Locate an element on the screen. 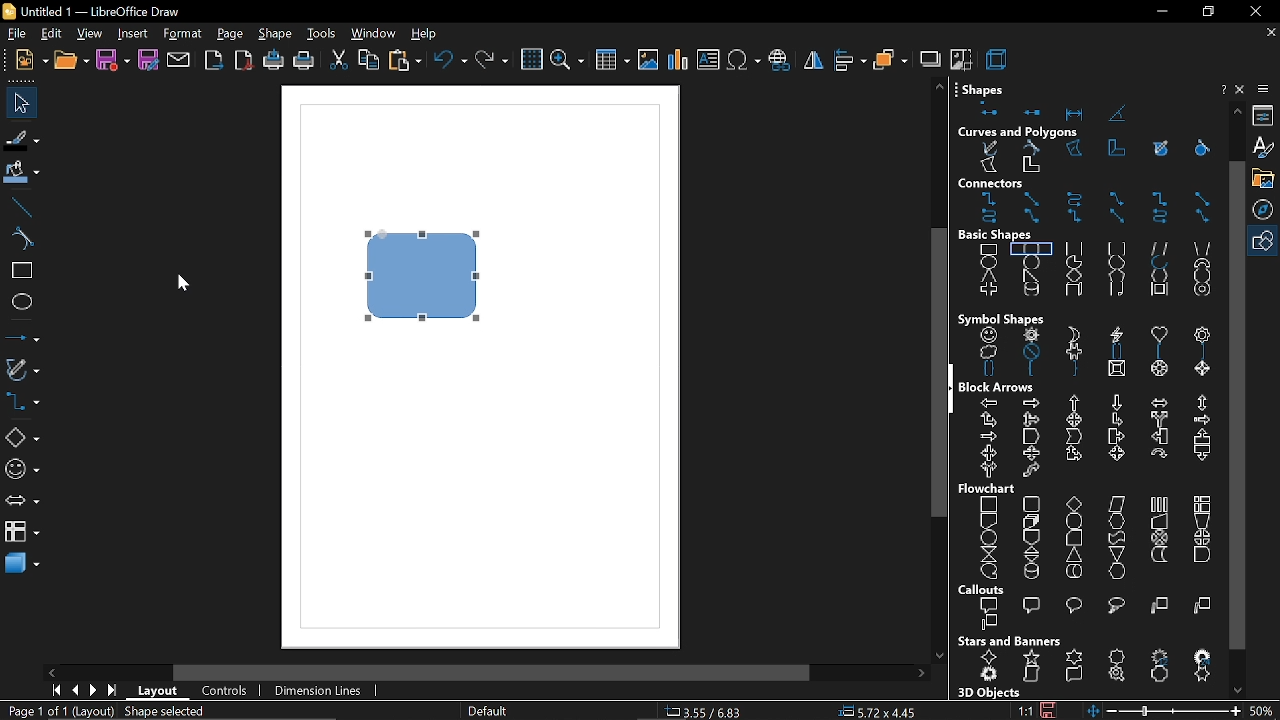  grid is located at coordinates (531, 60).